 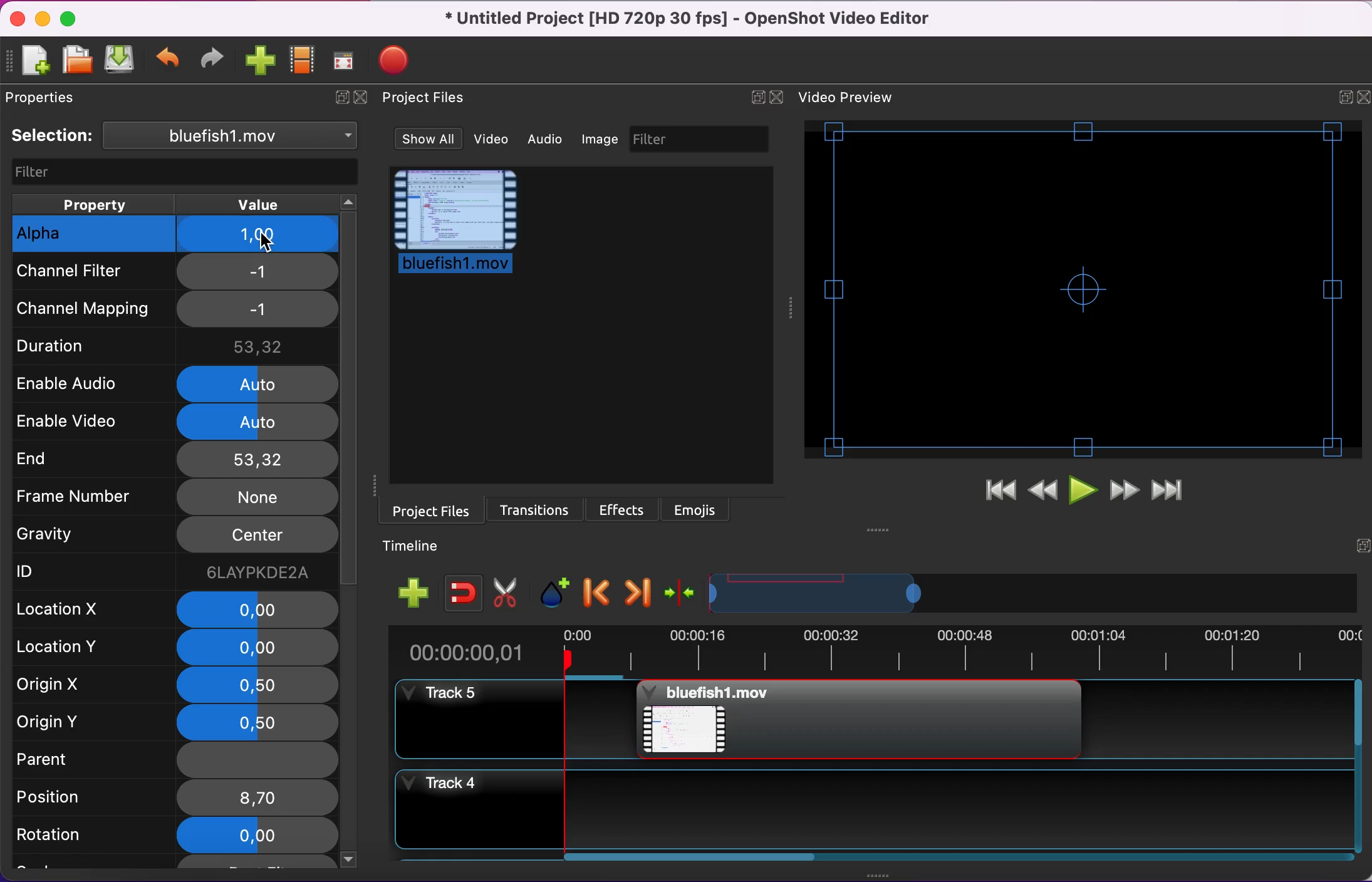 What do you see at coordinates (71, 723) in the screenshot?
I see `origin y` at bounding box center [71, 723].